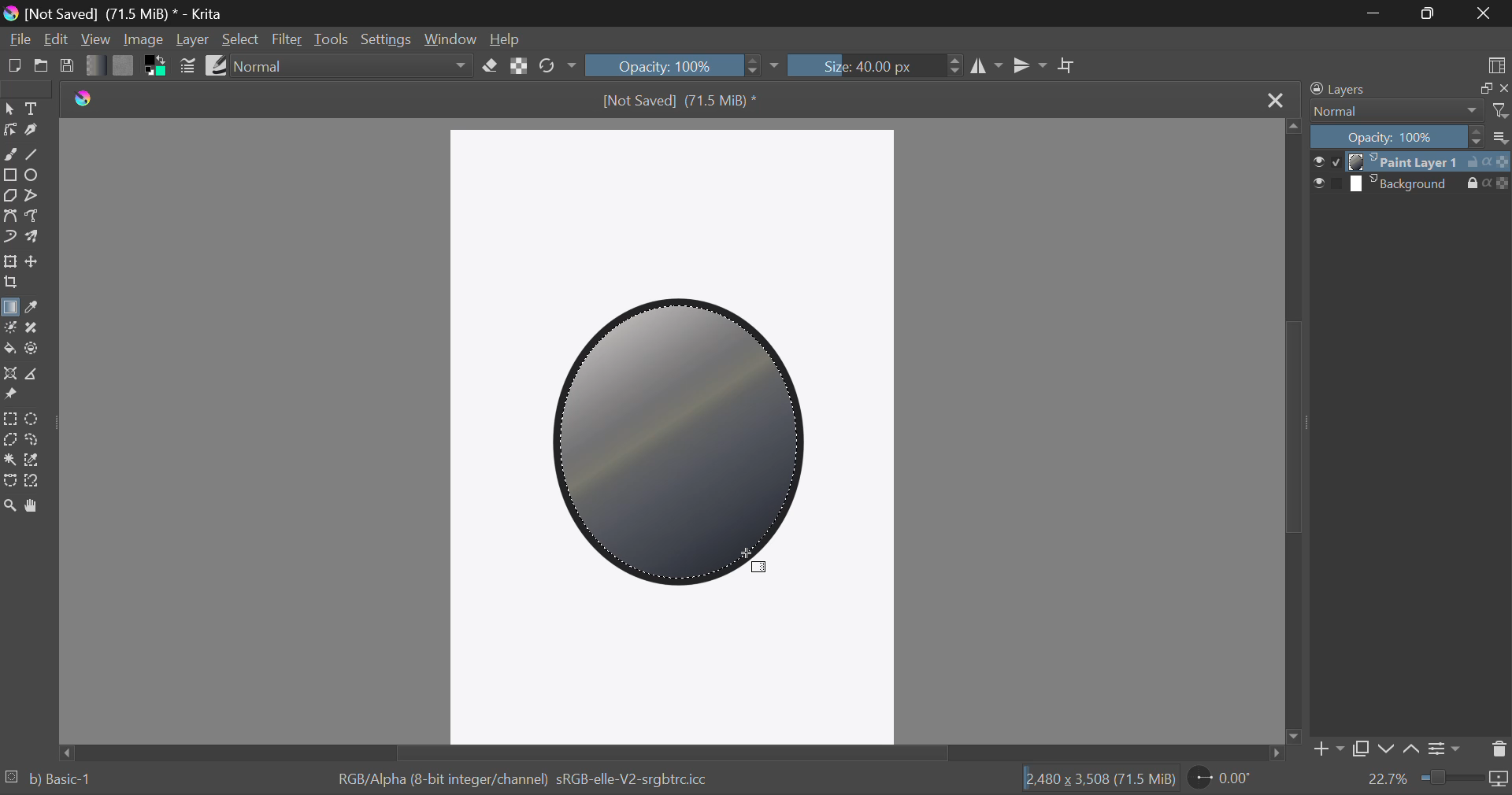 The image size is (1512, 795). Describe the element at coordinates (753, 560) in the screenshot. I see `Cursor Position` at that location.